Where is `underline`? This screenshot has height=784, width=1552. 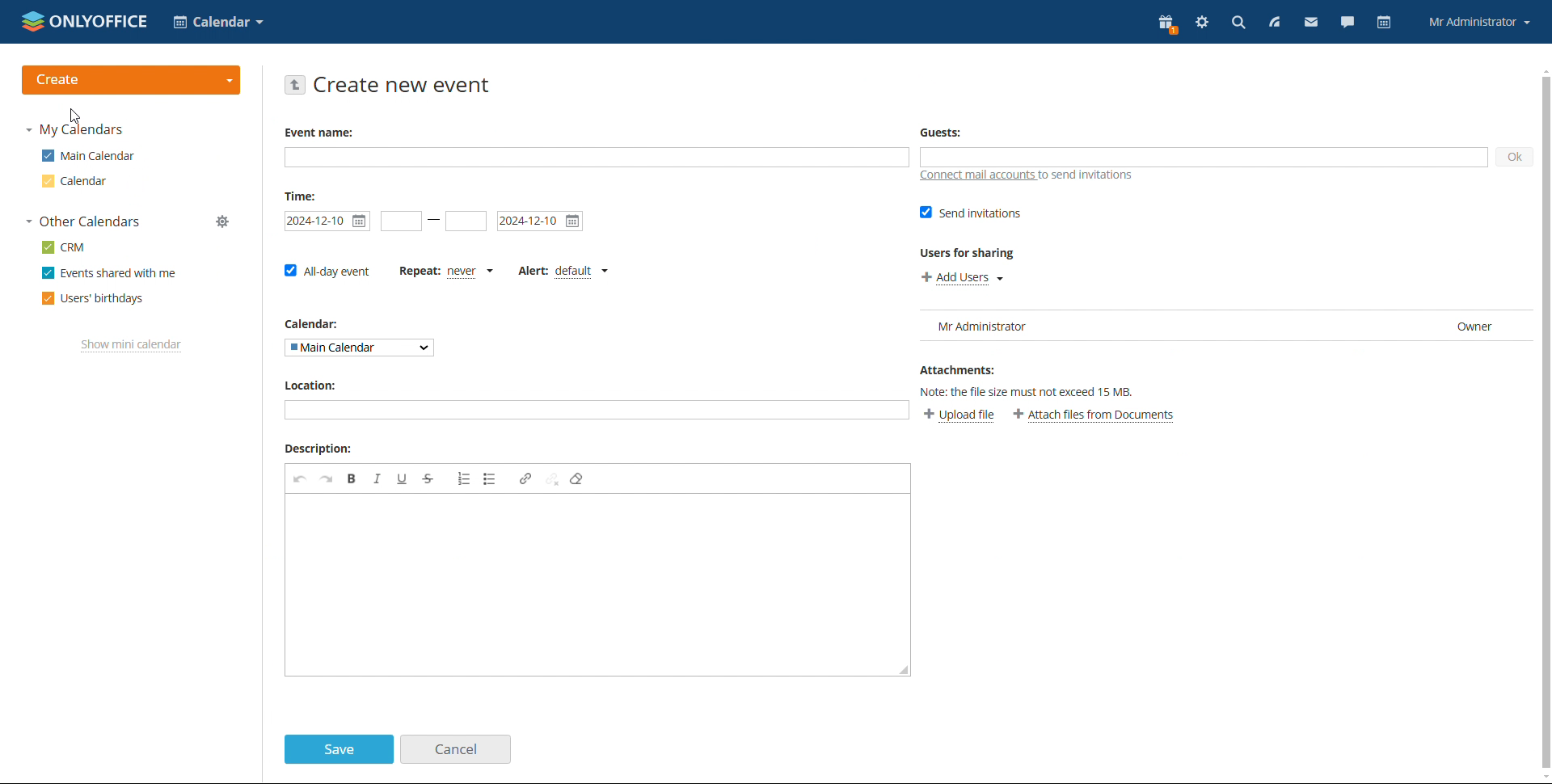 underline is located at coordinates (402, 478).